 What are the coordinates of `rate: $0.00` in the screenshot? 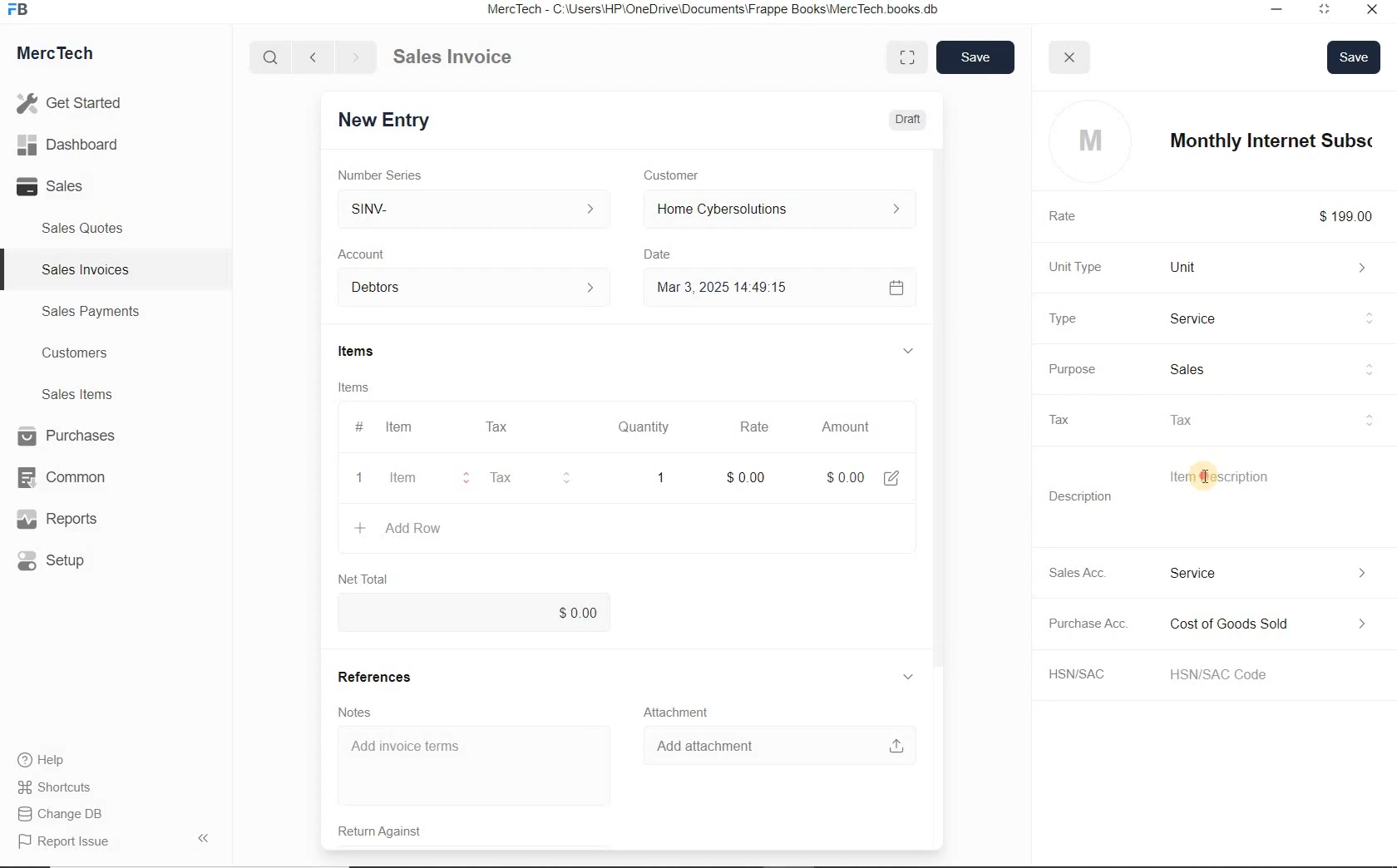 It's located at (745, 476).